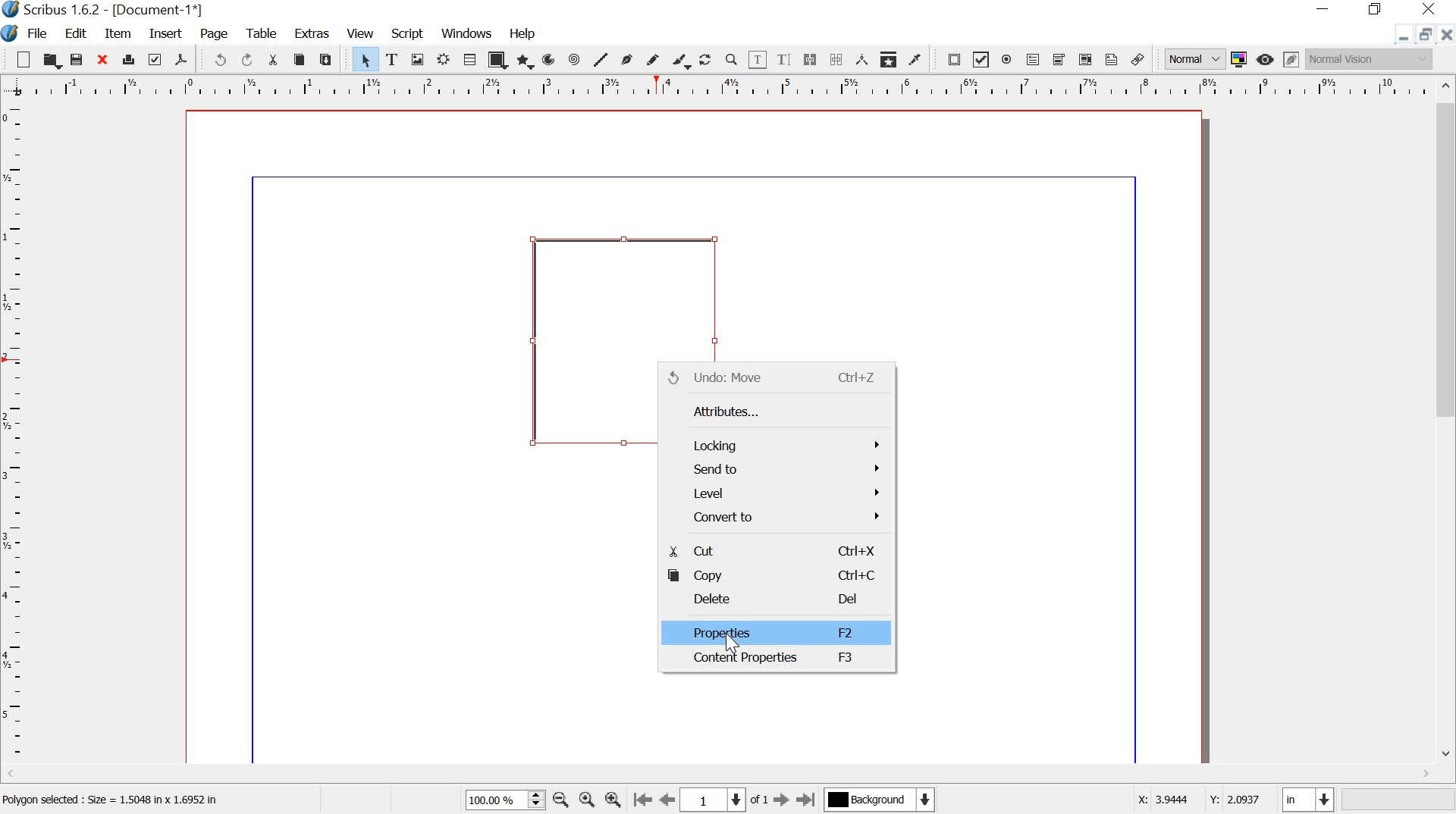  Describe the element at coordinates (668, 800) in the screenshot. I see `go to previous page` at that location.